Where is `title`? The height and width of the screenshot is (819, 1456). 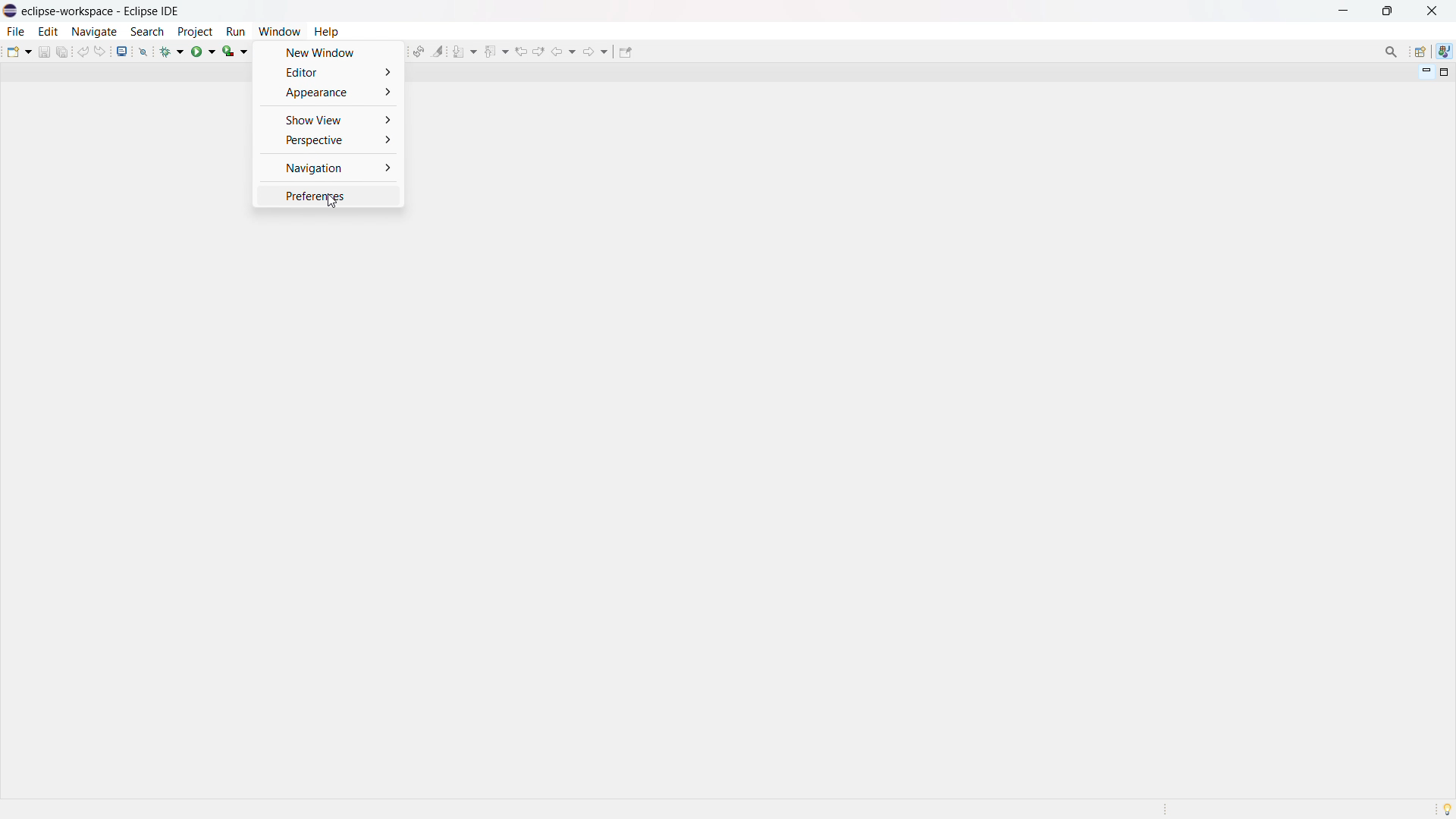
title is located at coordinates (102, 11).